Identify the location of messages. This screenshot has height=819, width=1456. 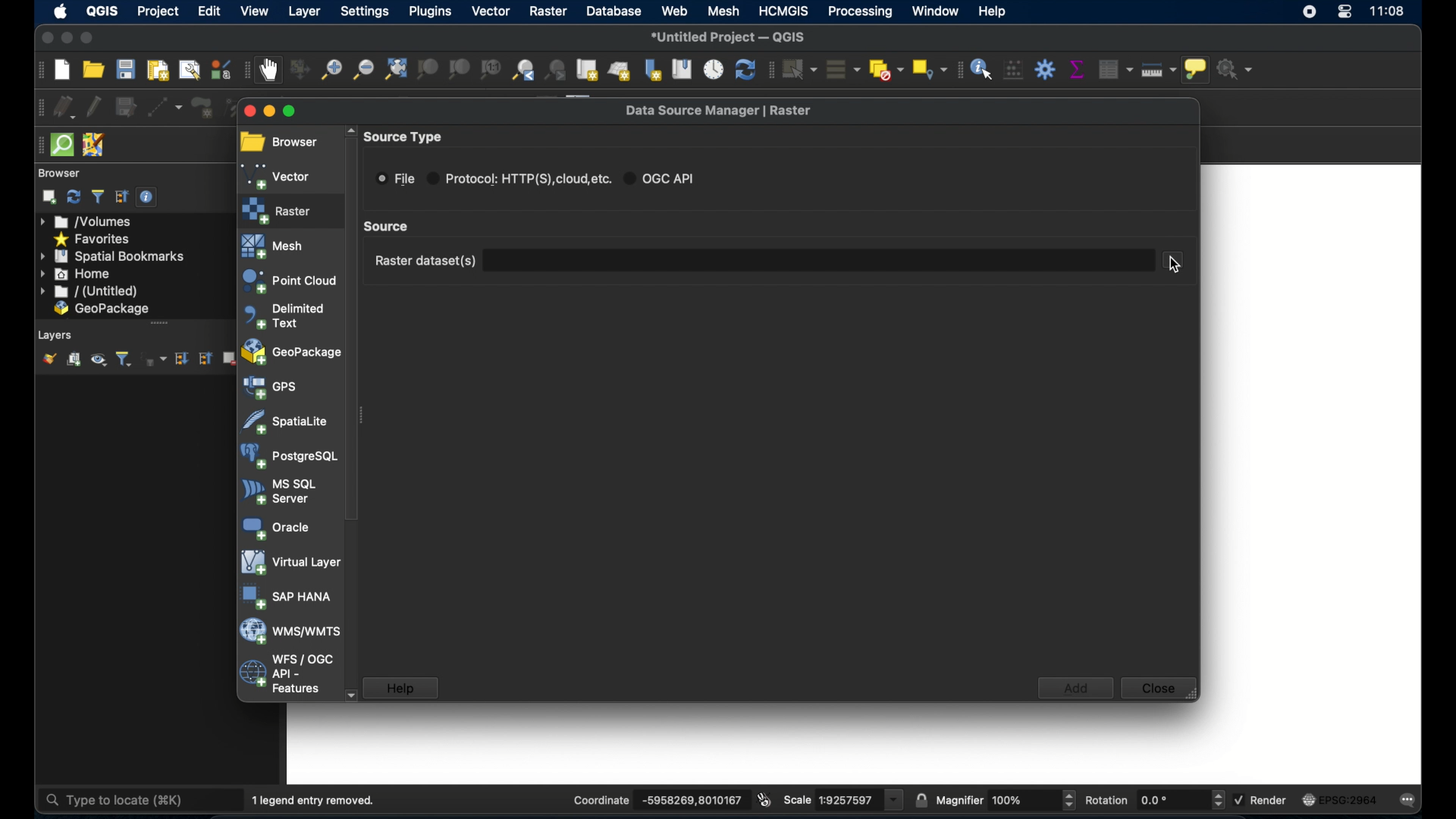
(1412, 799).